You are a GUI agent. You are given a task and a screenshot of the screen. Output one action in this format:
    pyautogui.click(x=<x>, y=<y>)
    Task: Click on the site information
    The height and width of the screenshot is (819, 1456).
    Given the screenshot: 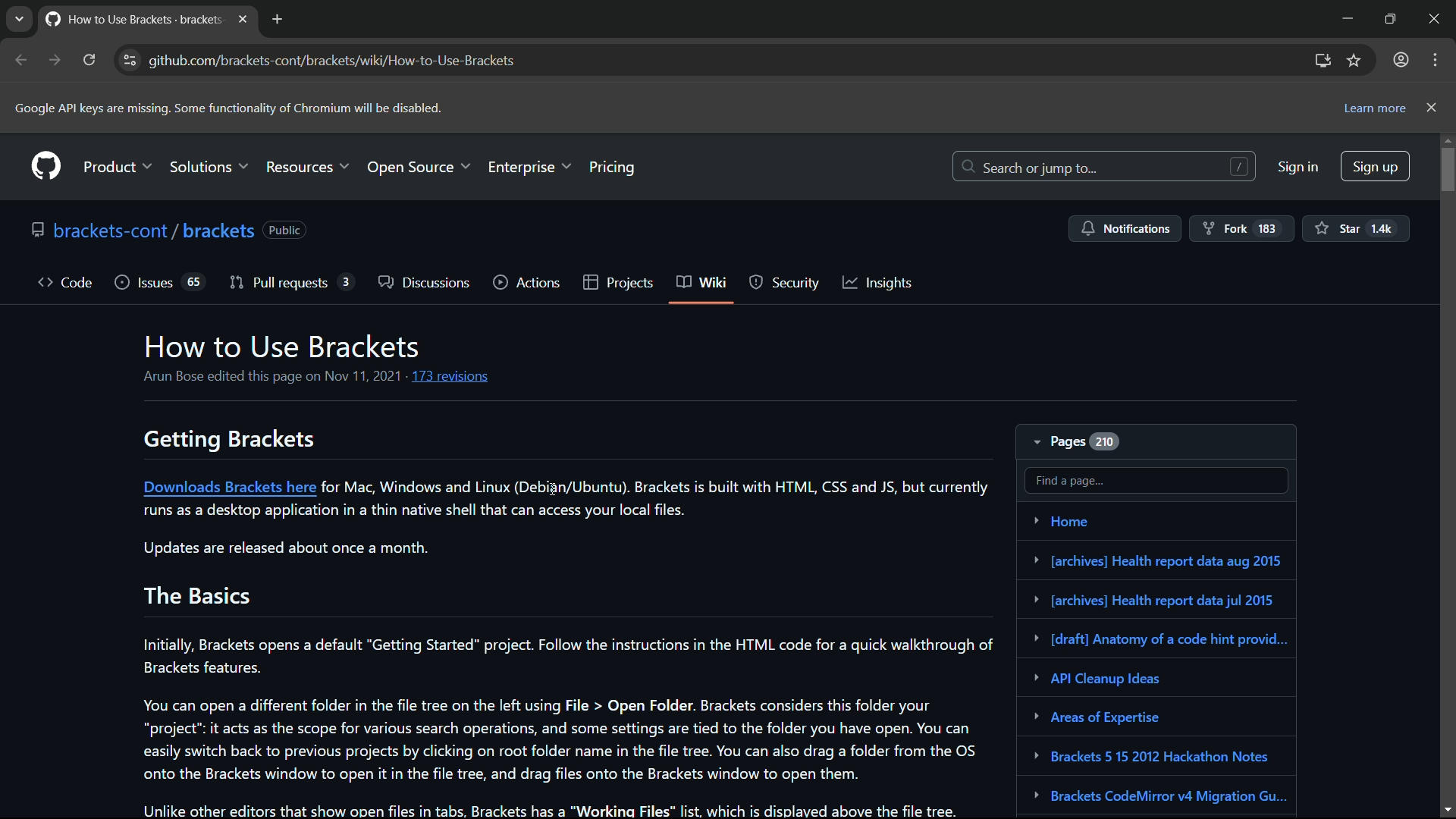 What is the action you would take?
    pyautogui.click(x=130, y=60)
    